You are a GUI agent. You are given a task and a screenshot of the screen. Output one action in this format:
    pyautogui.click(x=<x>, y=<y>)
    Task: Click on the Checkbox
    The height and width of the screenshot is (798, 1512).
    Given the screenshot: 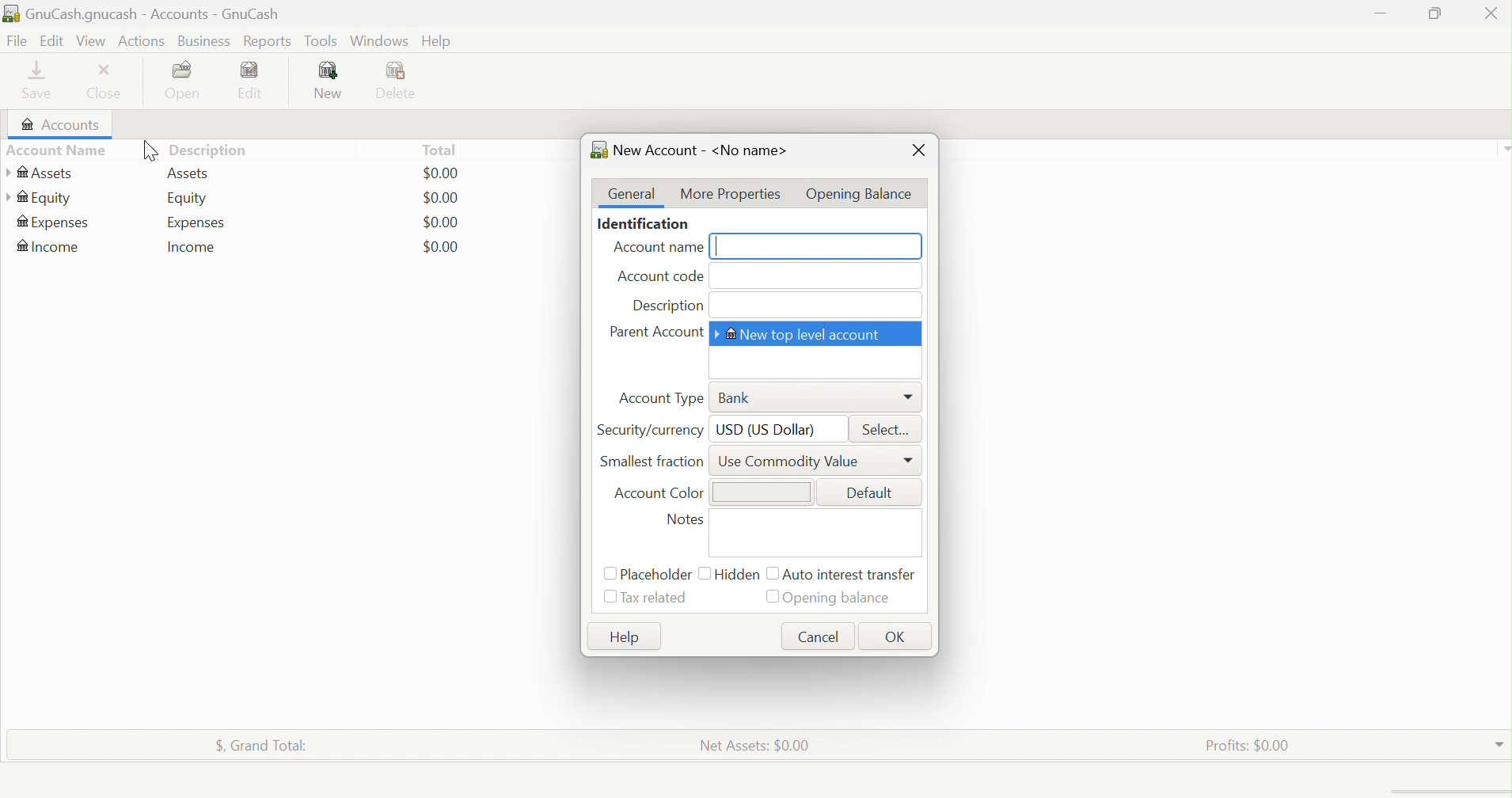 What is the action you would take?
    pyautogui.click(x=770, y=574)
    